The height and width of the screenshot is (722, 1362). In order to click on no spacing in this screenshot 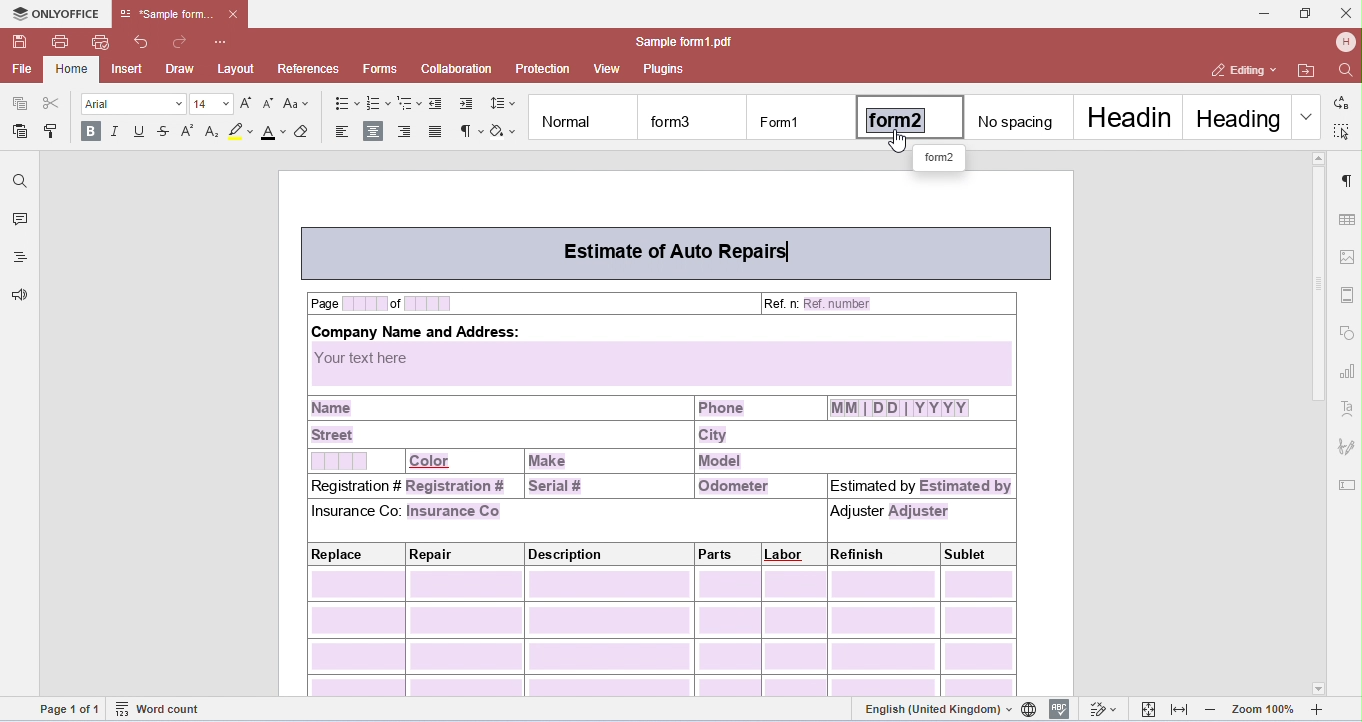, I will do `click(1022, 116)`.